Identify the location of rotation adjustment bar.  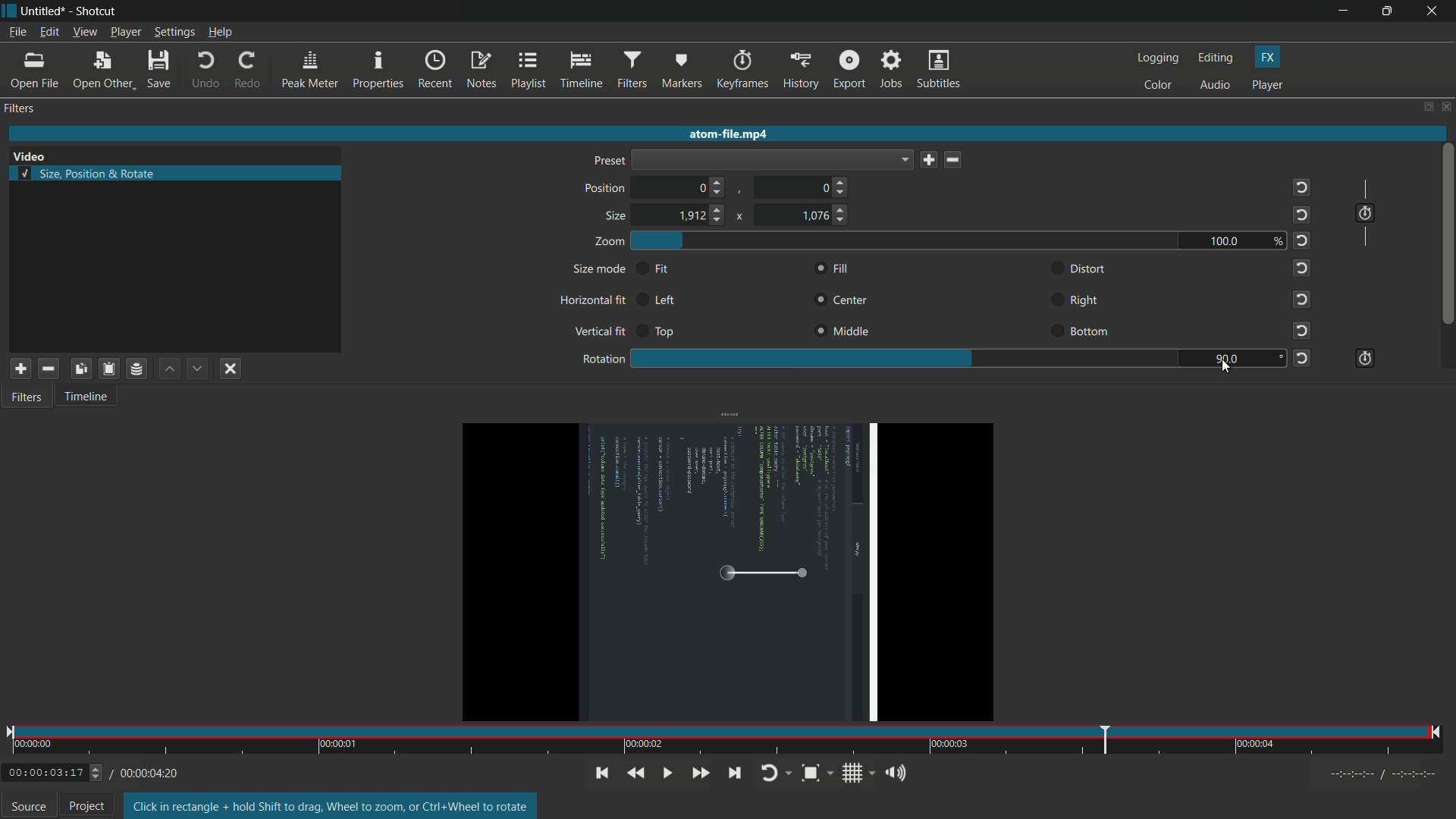
(904, 359).